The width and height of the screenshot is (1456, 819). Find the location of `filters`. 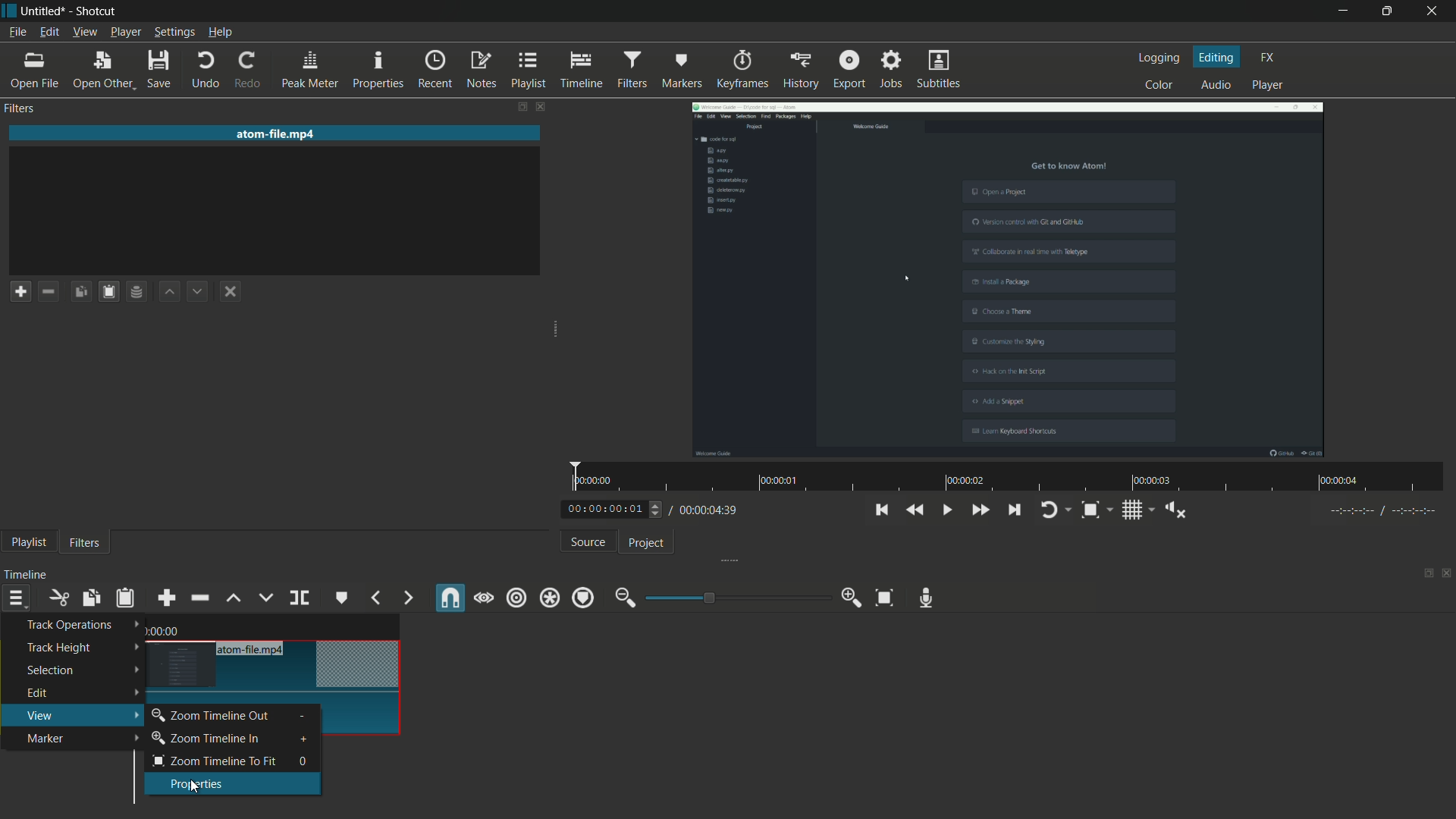

filters is located at coordinates (632, 69).